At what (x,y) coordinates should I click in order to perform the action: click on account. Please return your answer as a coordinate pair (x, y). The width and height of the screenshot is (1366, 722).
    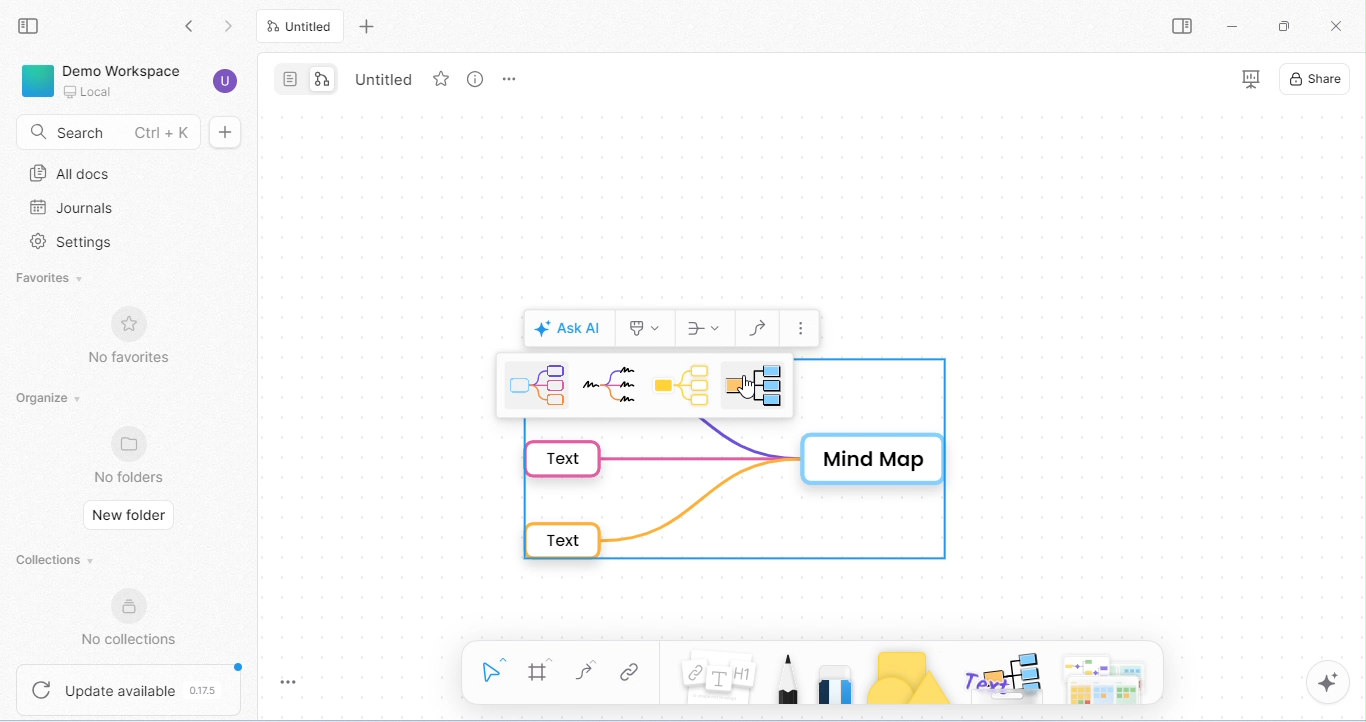
    Looking at the image, I should click on (224, 80).